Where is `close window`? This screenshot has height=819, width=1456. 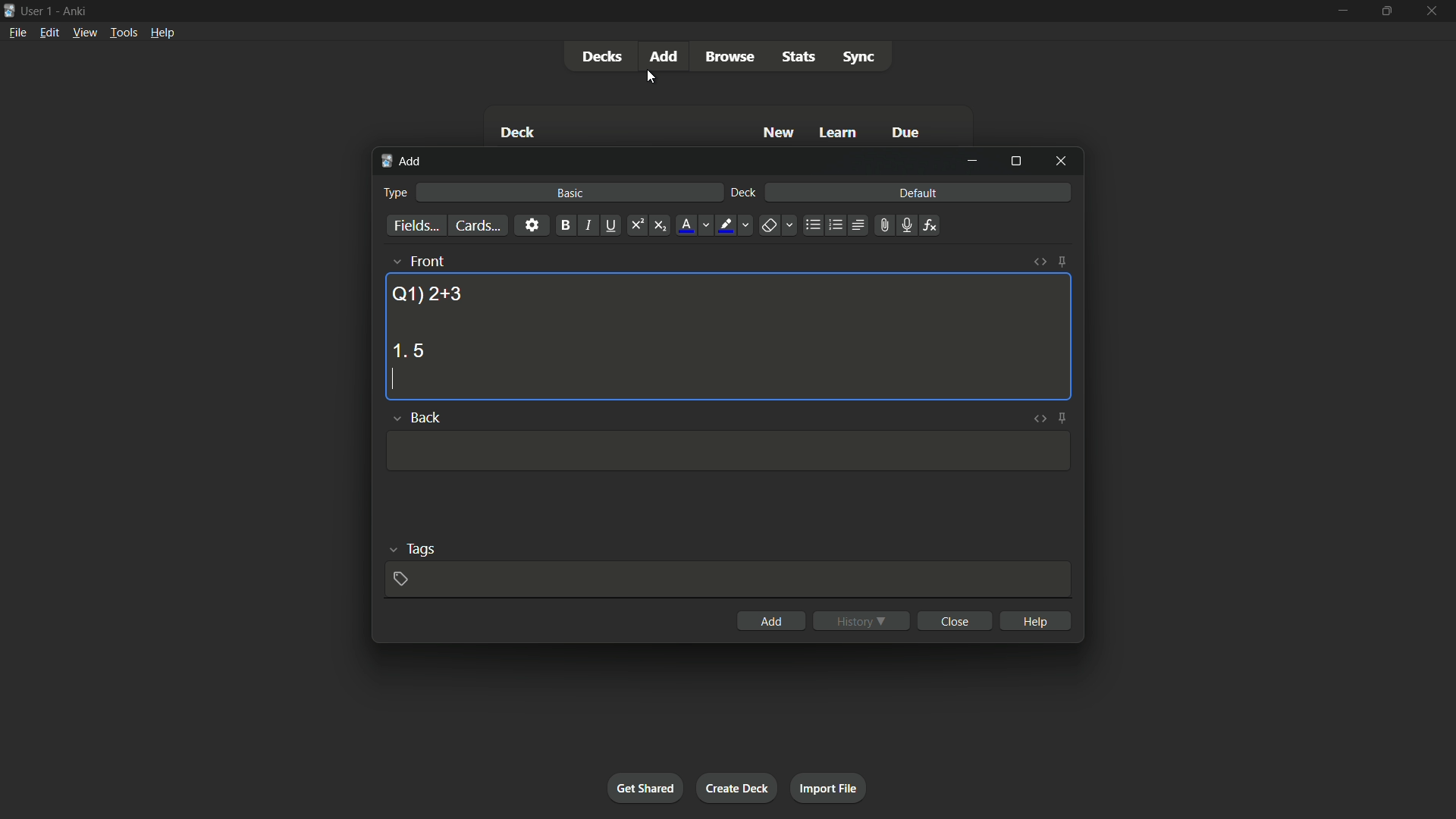
close window is located at coordinates (1062, 160).